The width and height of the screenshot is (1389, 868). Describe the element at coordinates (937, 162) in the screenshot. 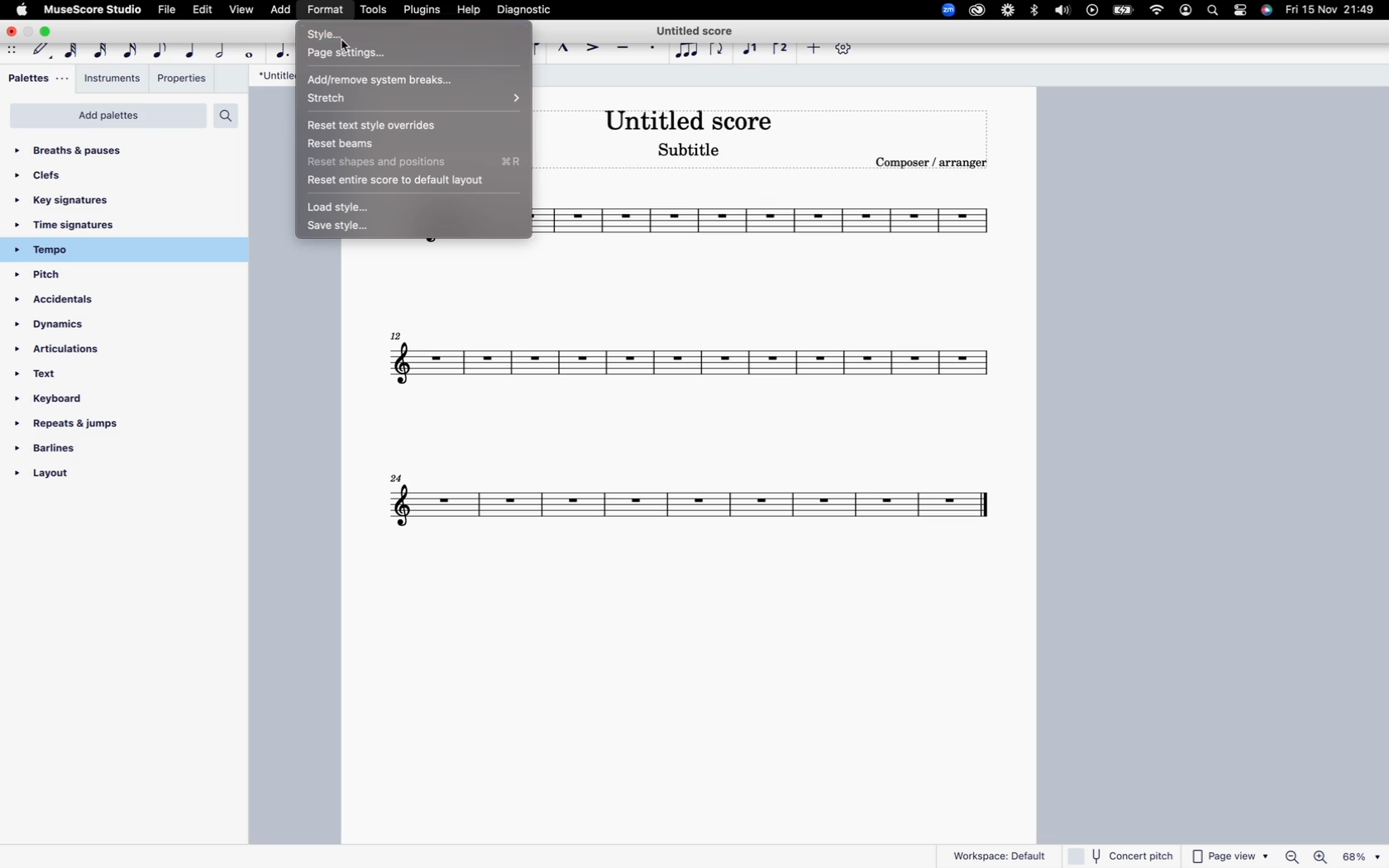

I see `composer / arranger` at that location.